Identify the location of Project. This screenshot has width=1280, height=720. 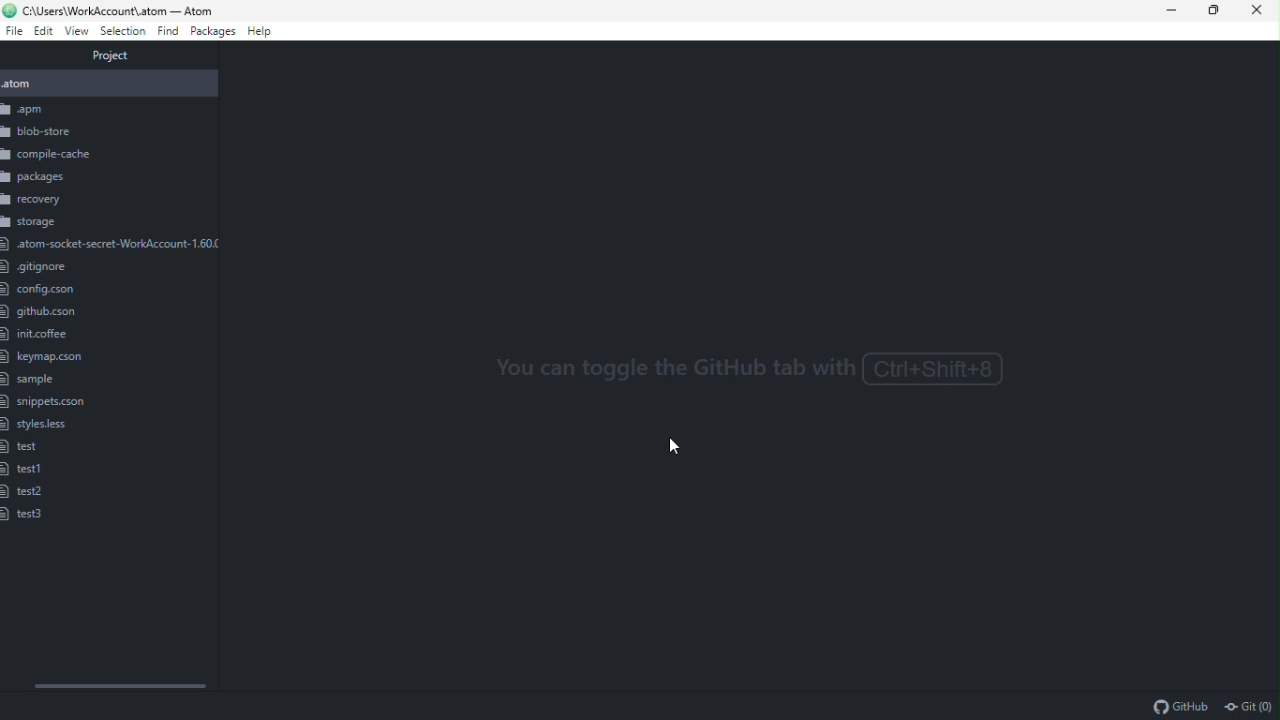
(111, 57).